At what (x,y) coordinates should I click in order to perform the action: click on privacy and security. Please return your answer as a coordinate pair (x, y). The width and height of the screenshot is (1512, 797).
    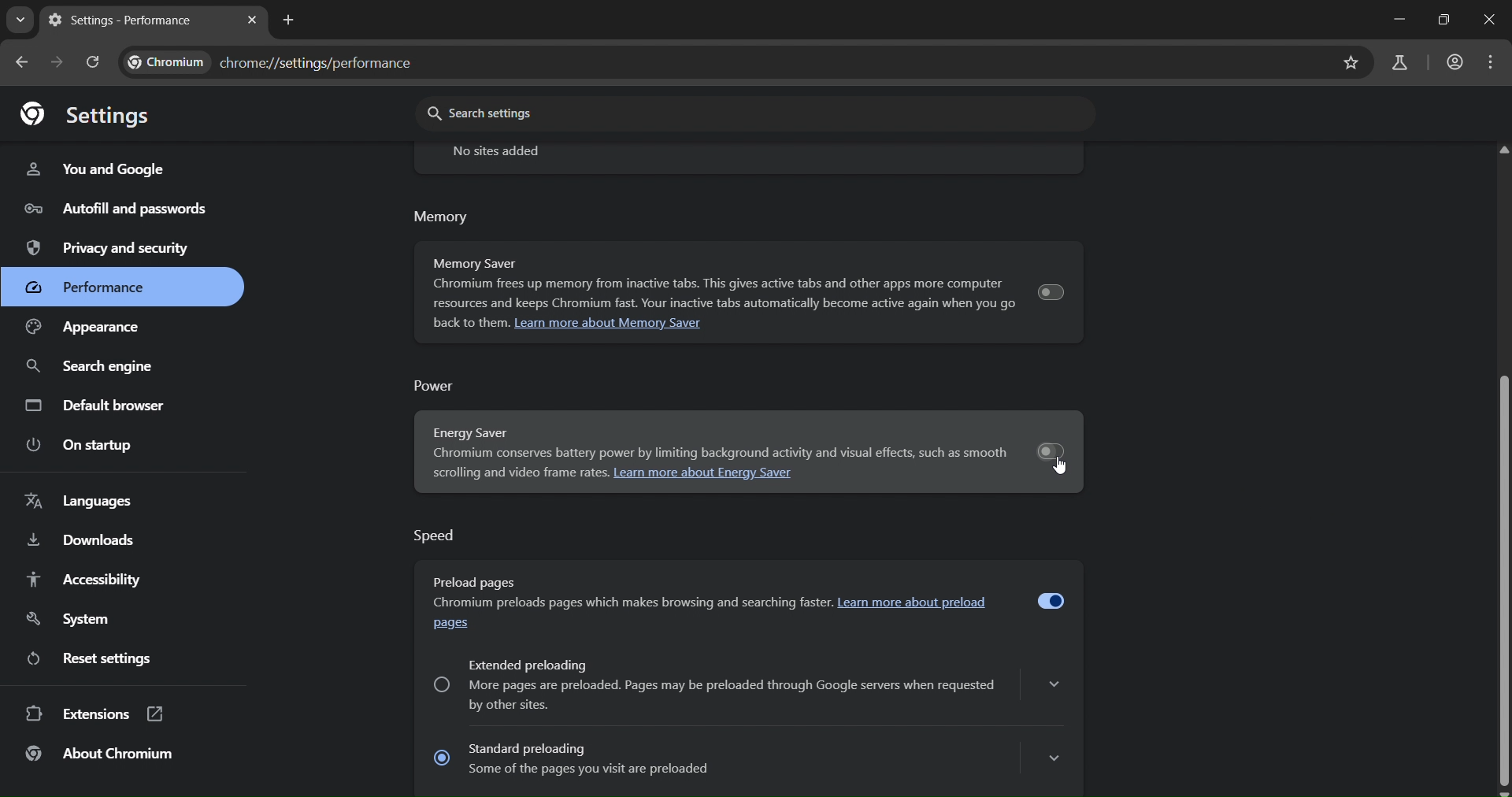
    Looking at the image, I should click on (115, 247).